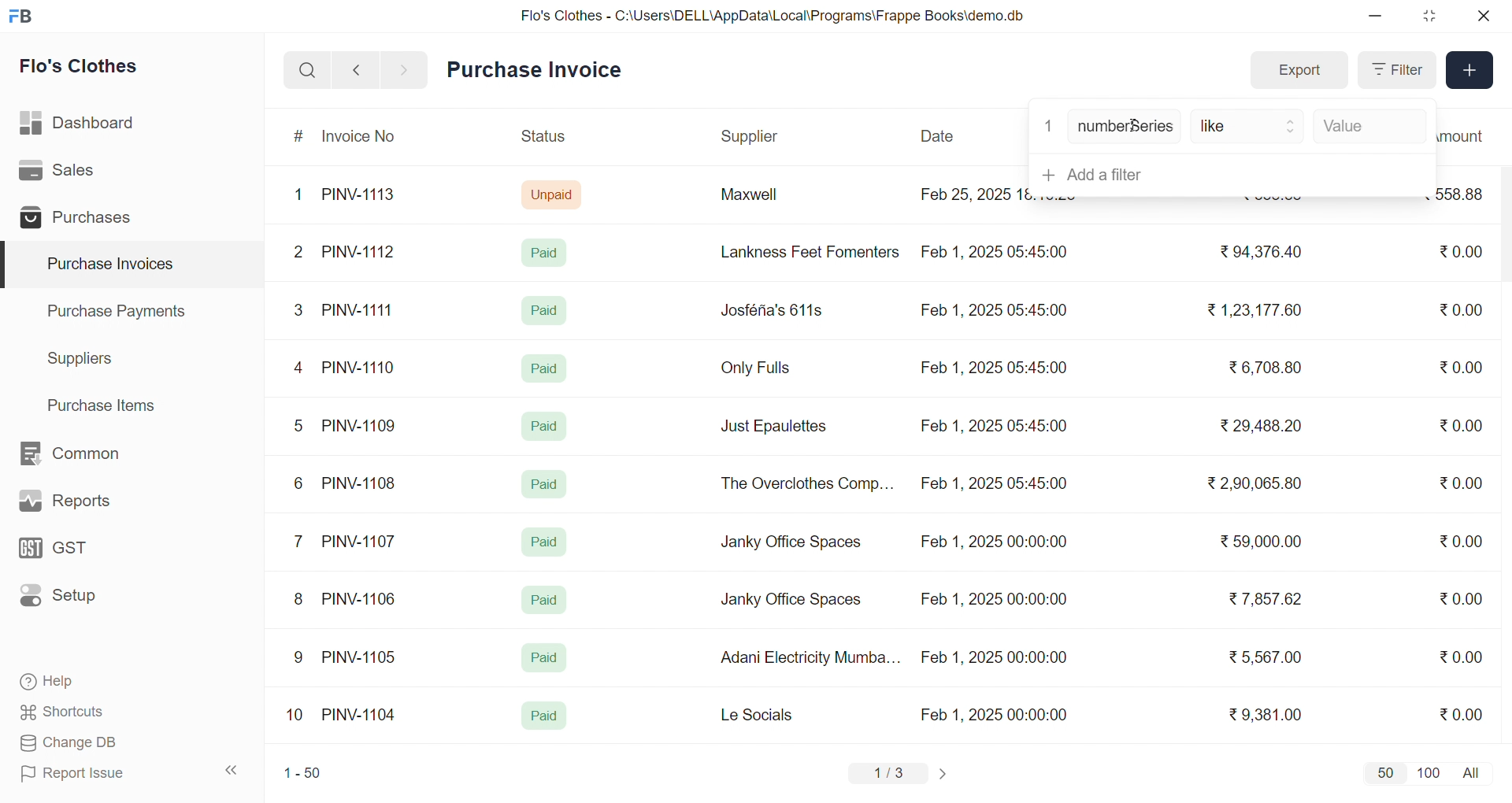 The height and width of the screenshot is (803, 1512). I want to click on Only Fulls, so click(762, 372).